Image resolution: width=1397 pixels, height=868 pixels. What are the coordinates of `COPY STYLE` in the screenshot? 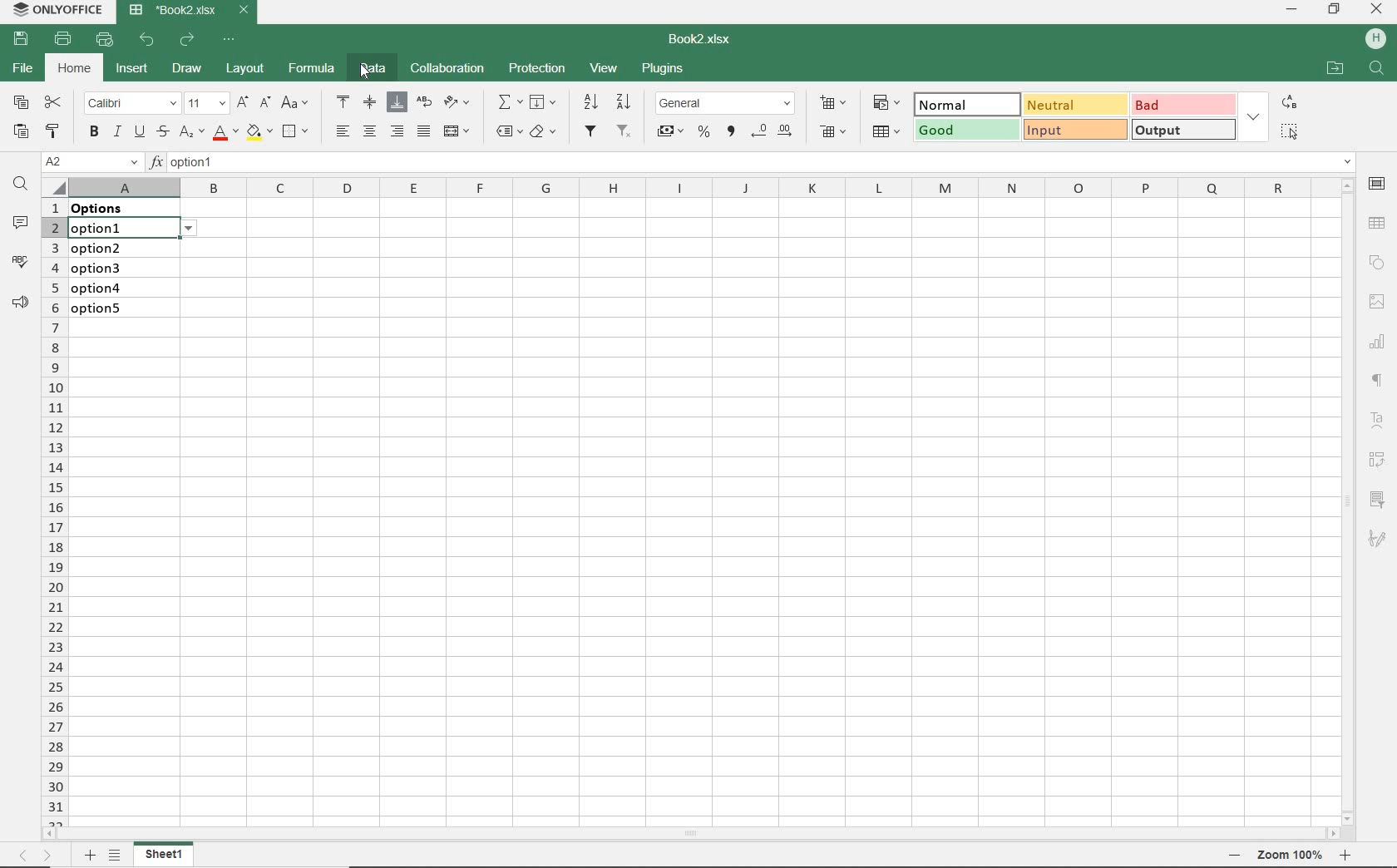 It's located at (53, 131).